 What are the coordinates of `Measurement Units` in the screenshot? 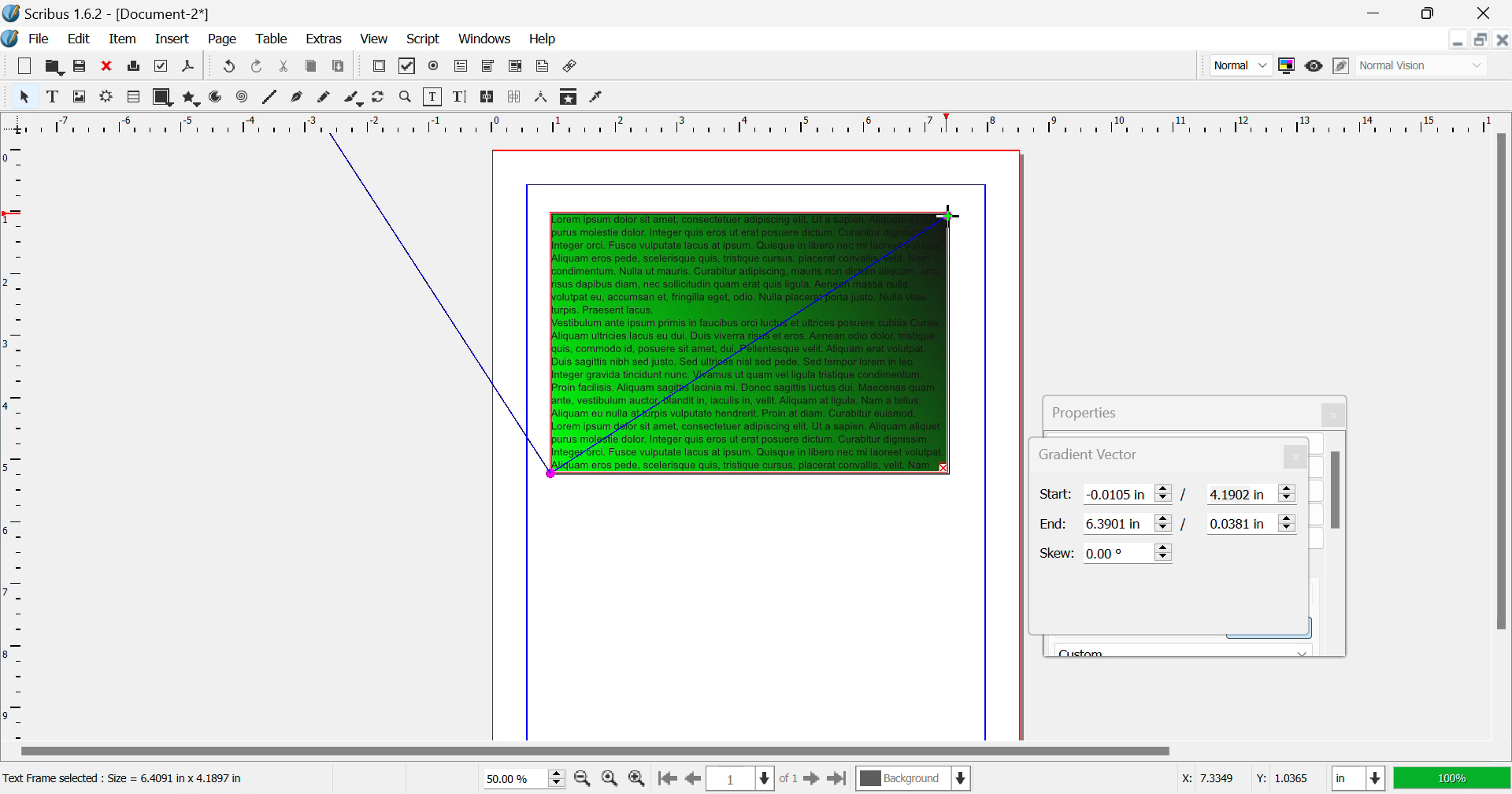 It's located at (1359, 780).